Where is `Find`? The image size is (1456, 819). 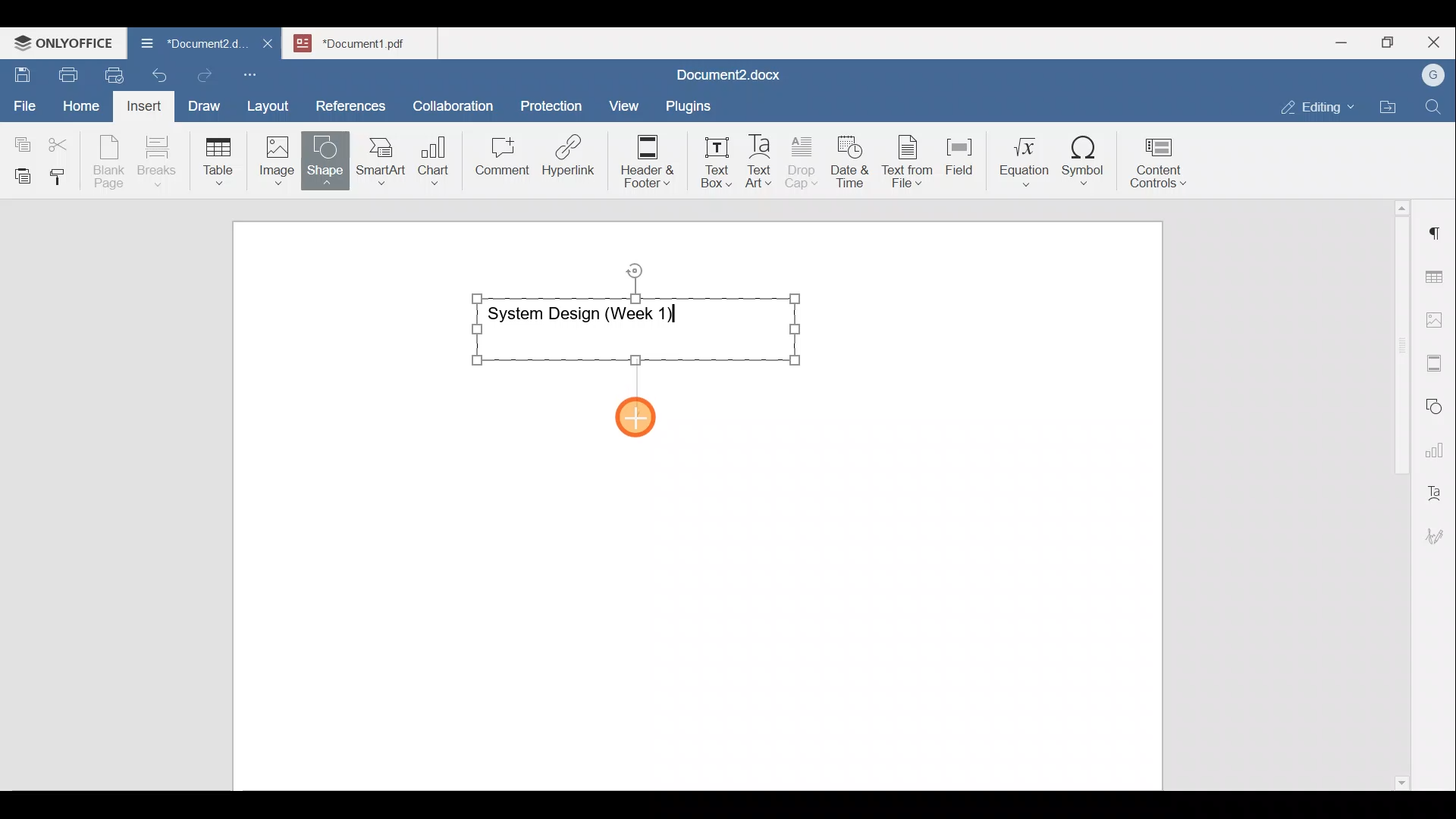 Find is located at coordinates (1435, 108).